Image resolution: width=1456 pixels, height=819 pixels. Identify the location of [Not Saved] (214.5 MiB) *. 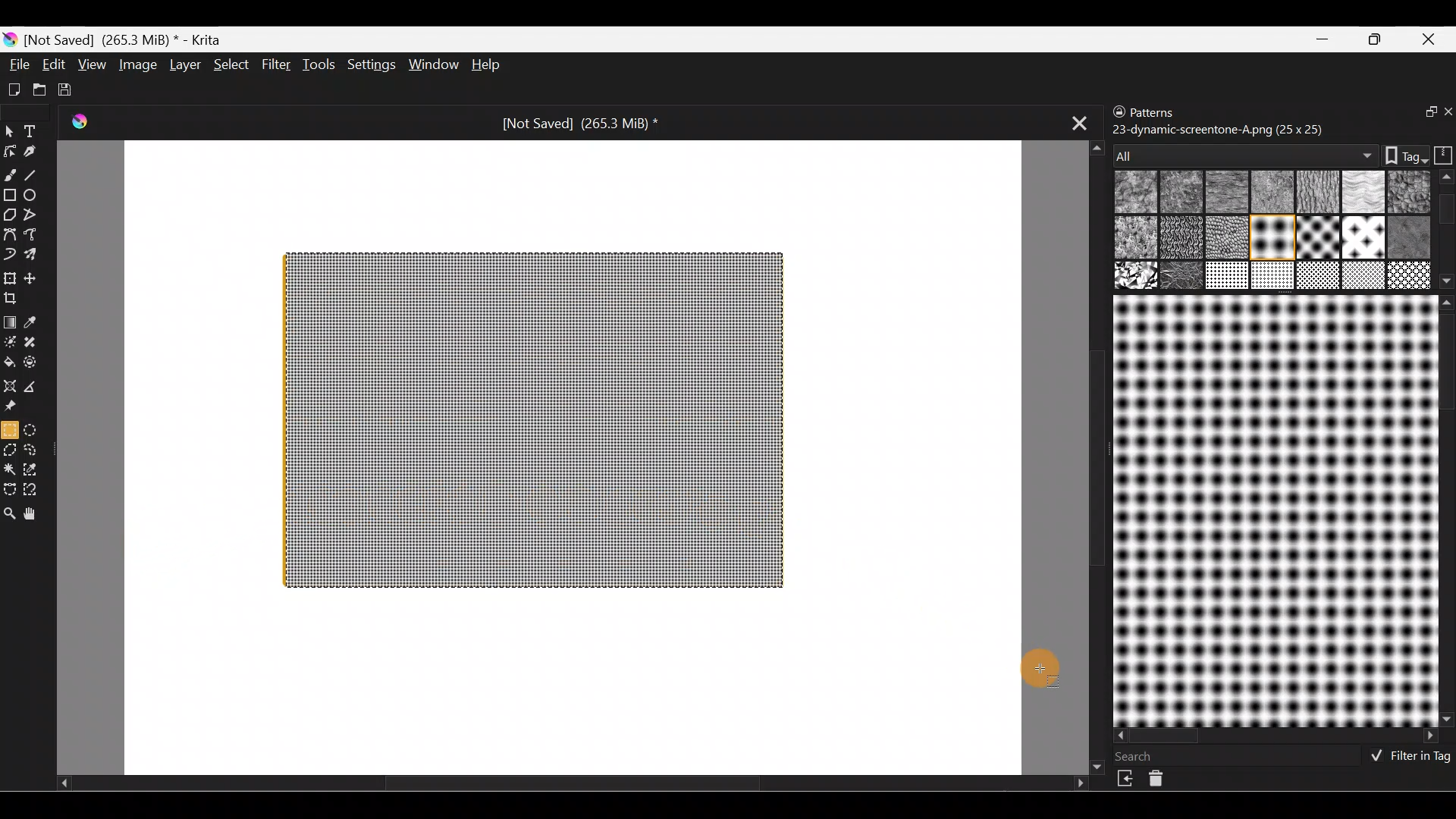
(579, 124).